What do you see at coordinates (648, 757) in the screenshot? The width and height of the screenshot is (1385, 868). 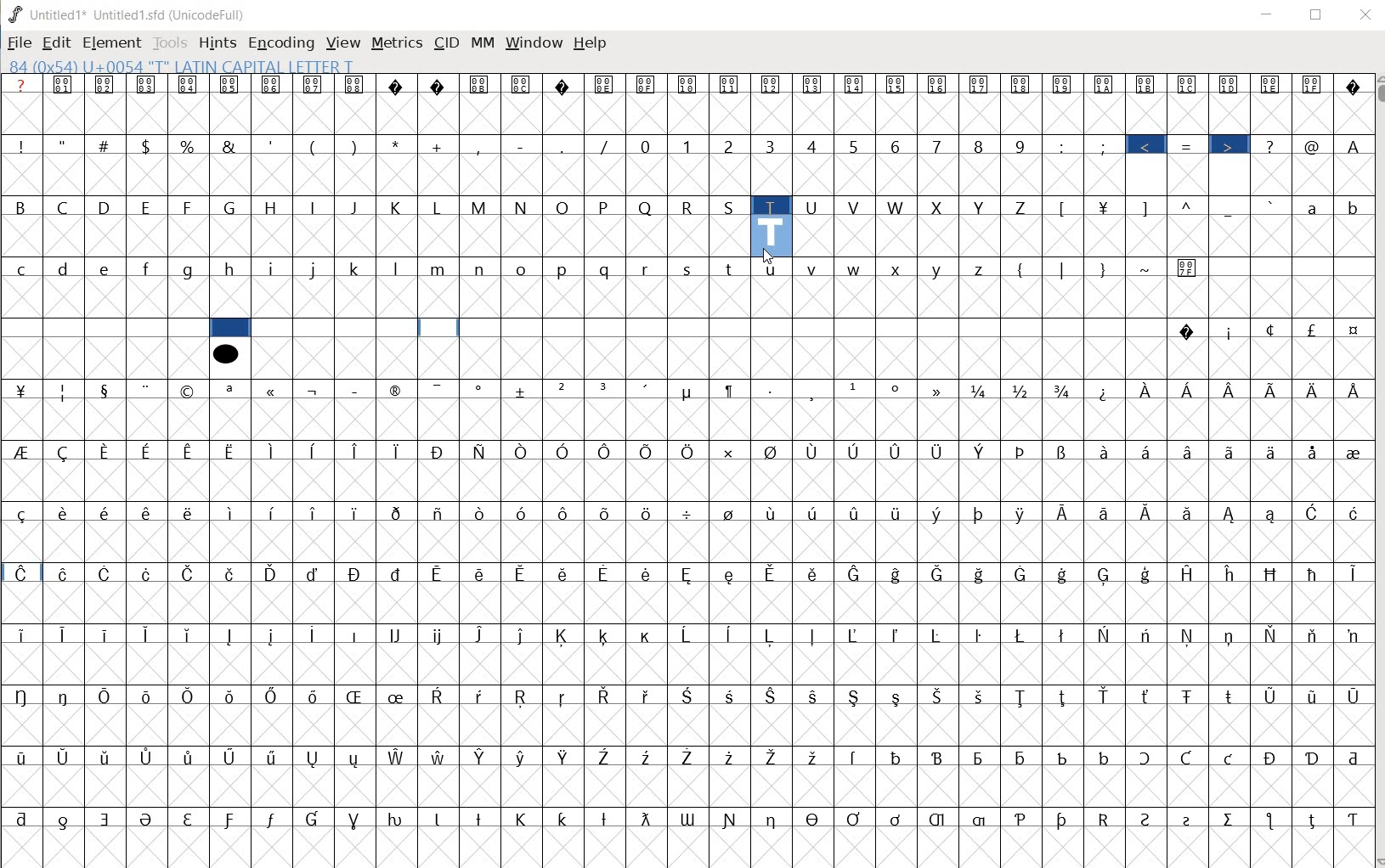 I see `Symbol` at bounding box center [648, 757].